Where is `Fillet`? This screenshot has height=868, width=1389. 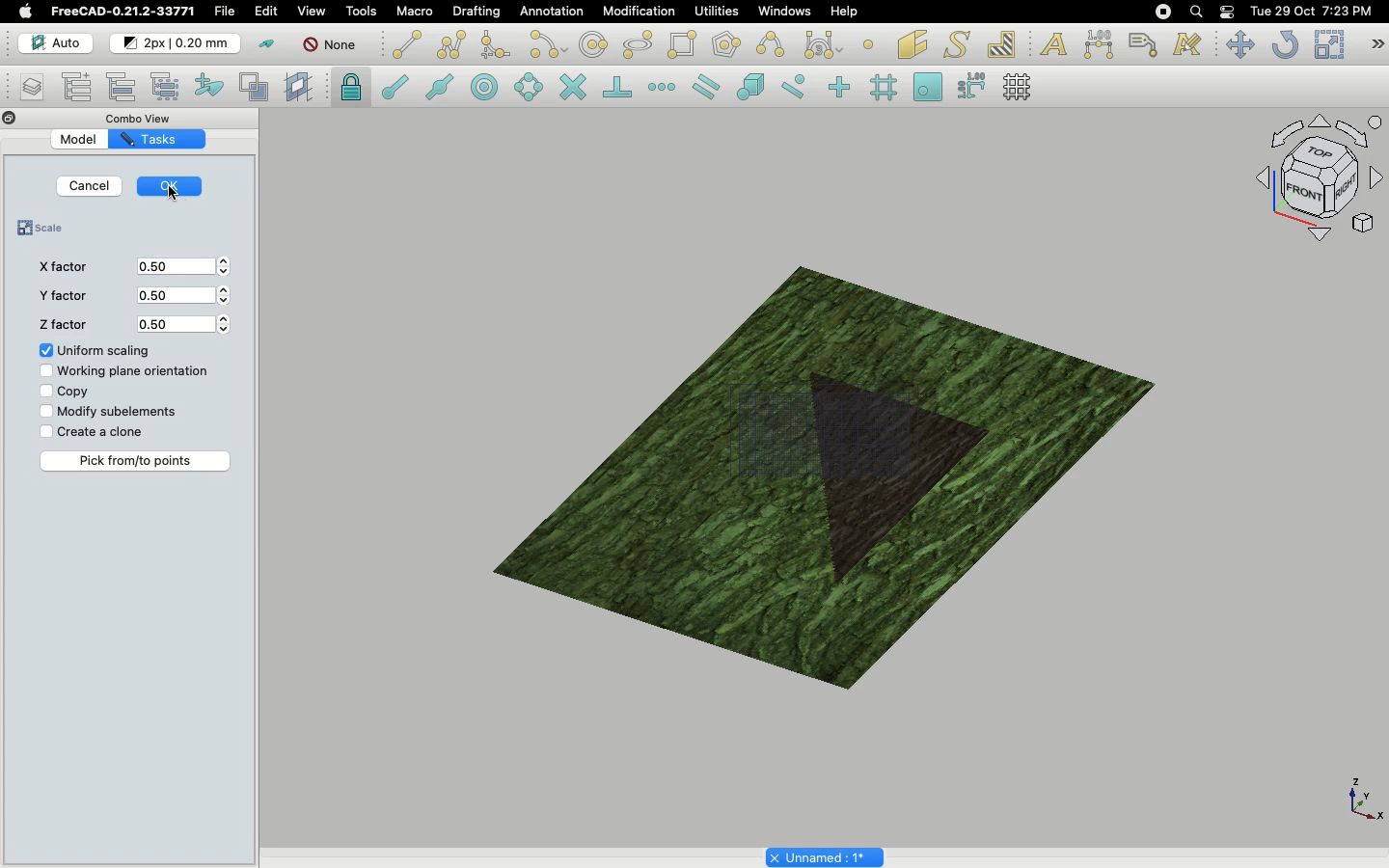
Fillet is located at coordinates (495, 45).